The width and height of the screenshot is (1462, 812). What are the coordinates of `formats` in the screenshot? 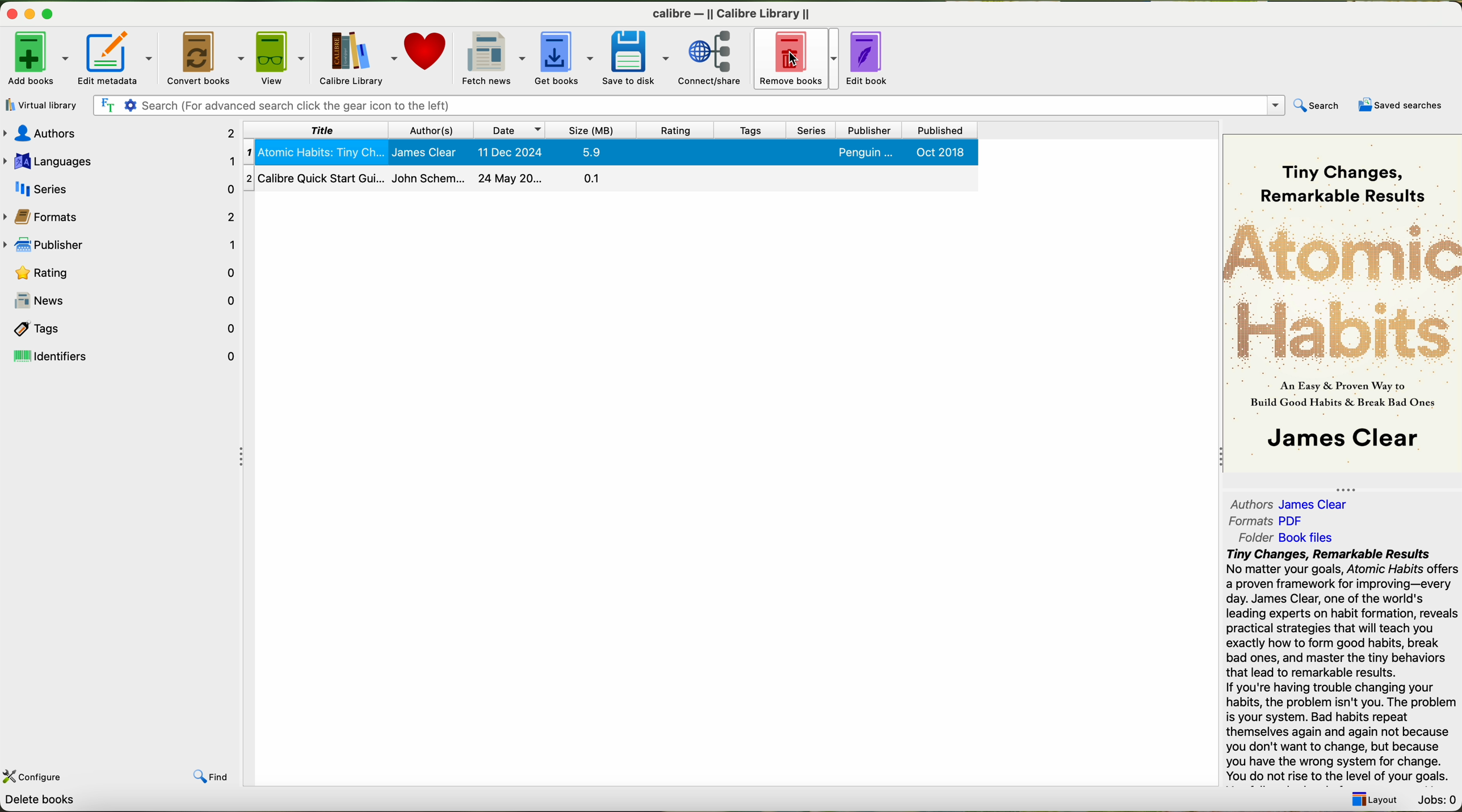 It's located at (124, 215).